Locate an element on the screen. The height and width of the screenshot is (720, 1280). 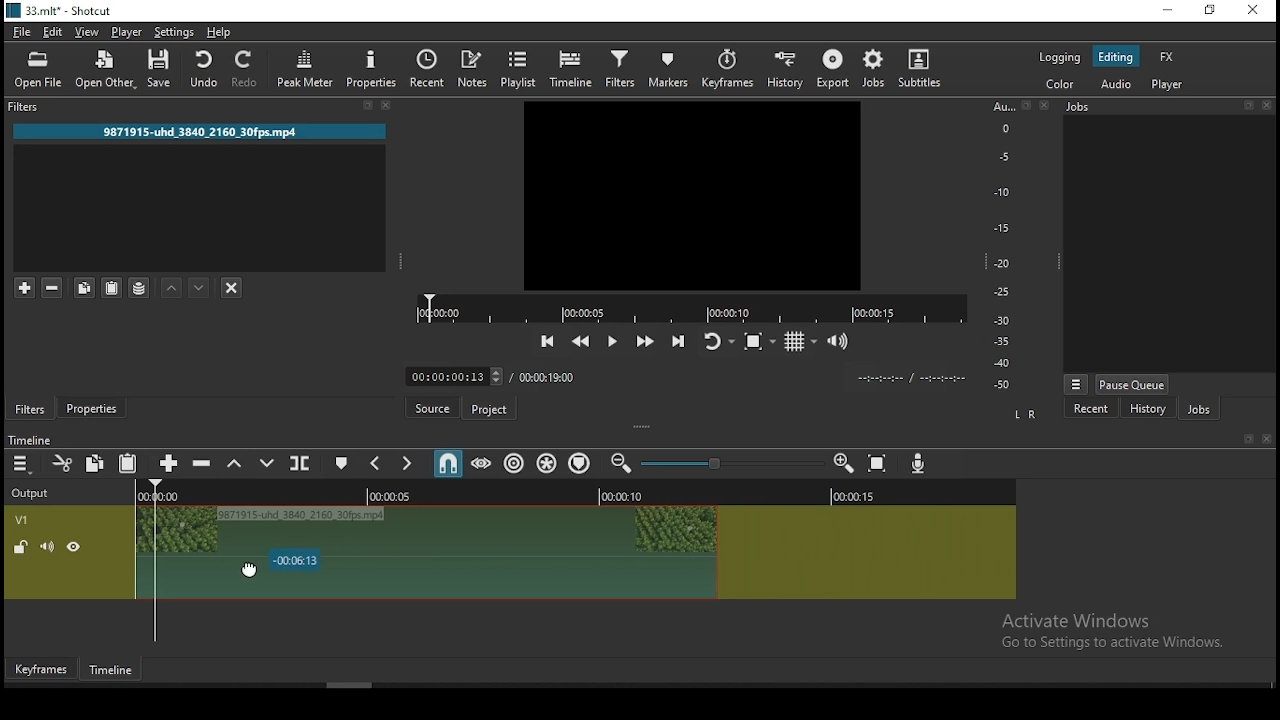
cursor is located at coordinates (250, 571).